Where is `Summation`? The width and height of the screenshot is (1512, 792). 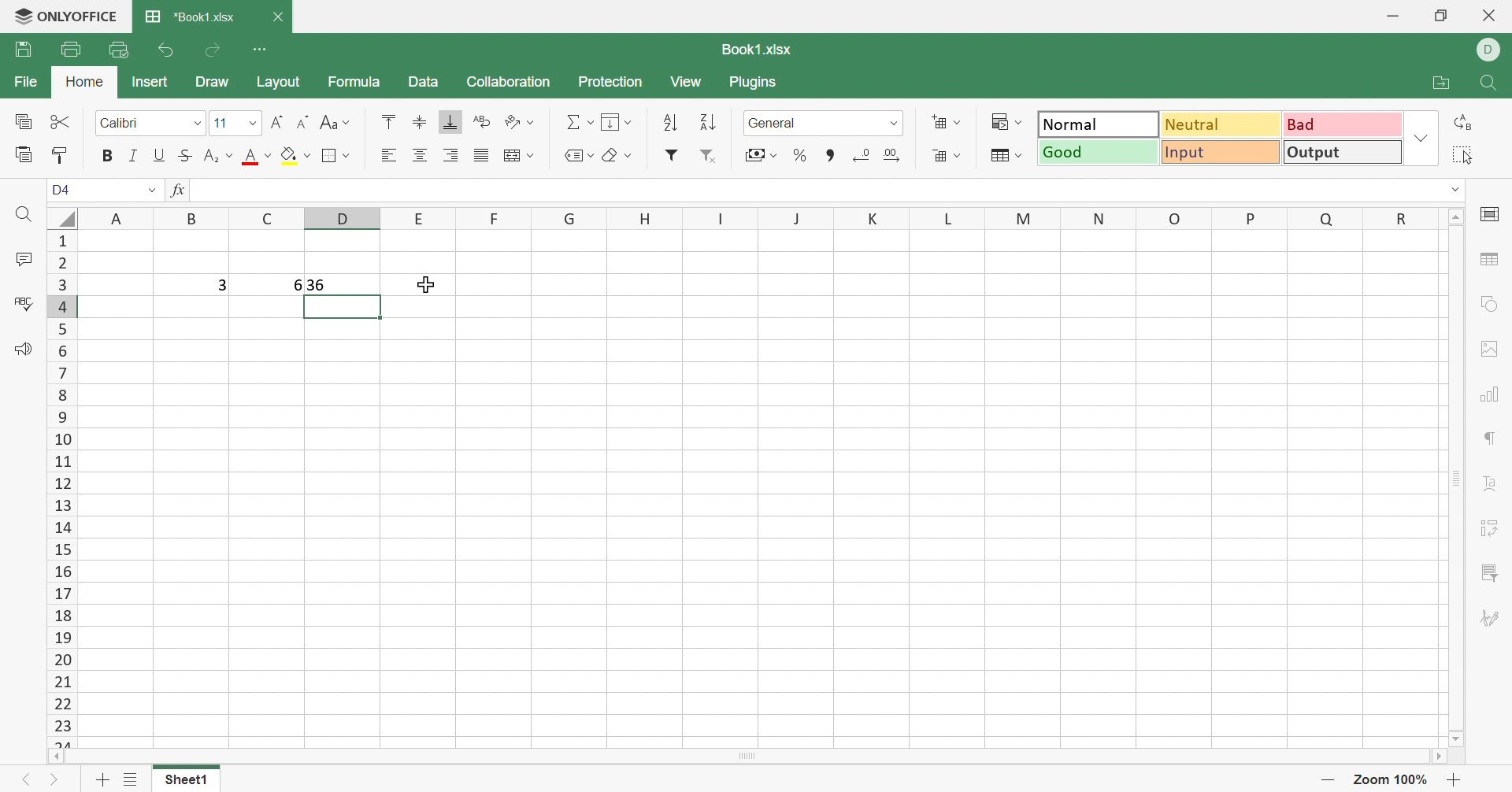 Summation is located at coordinates (579, 121).